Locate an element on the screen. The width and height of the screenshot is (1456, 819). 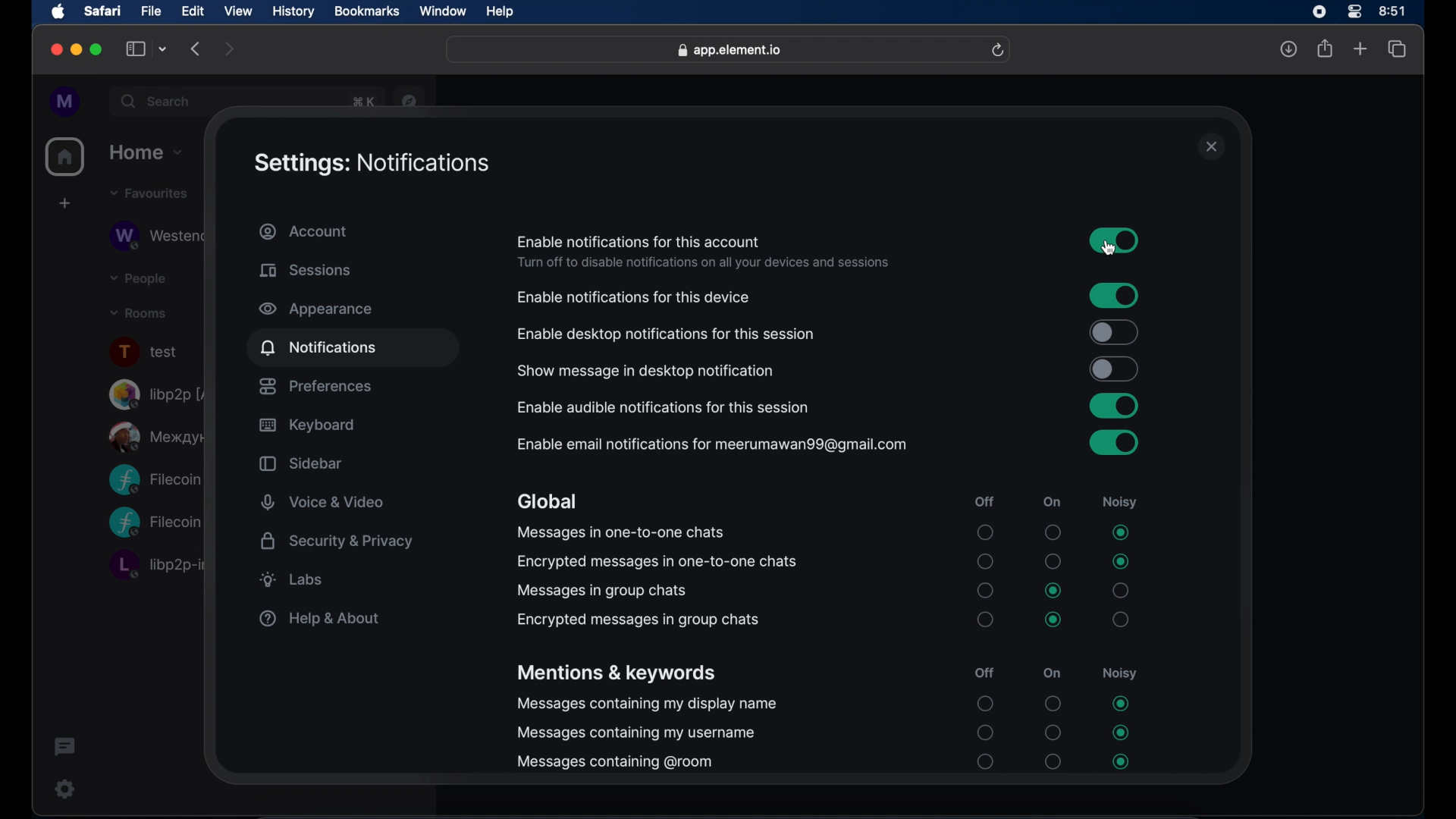
time is located at coordinates (1393, 11).